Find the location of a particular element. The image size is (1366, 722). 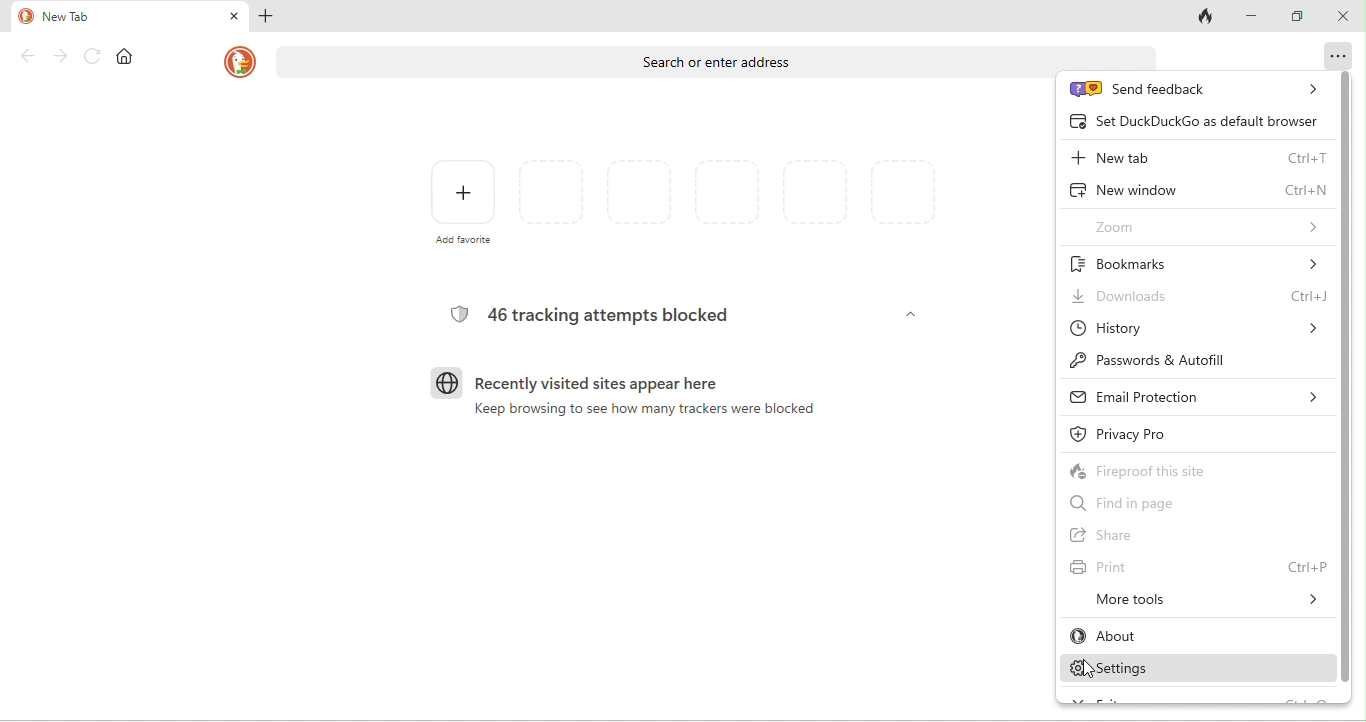

find in page is located at coordinates (1138, 506).